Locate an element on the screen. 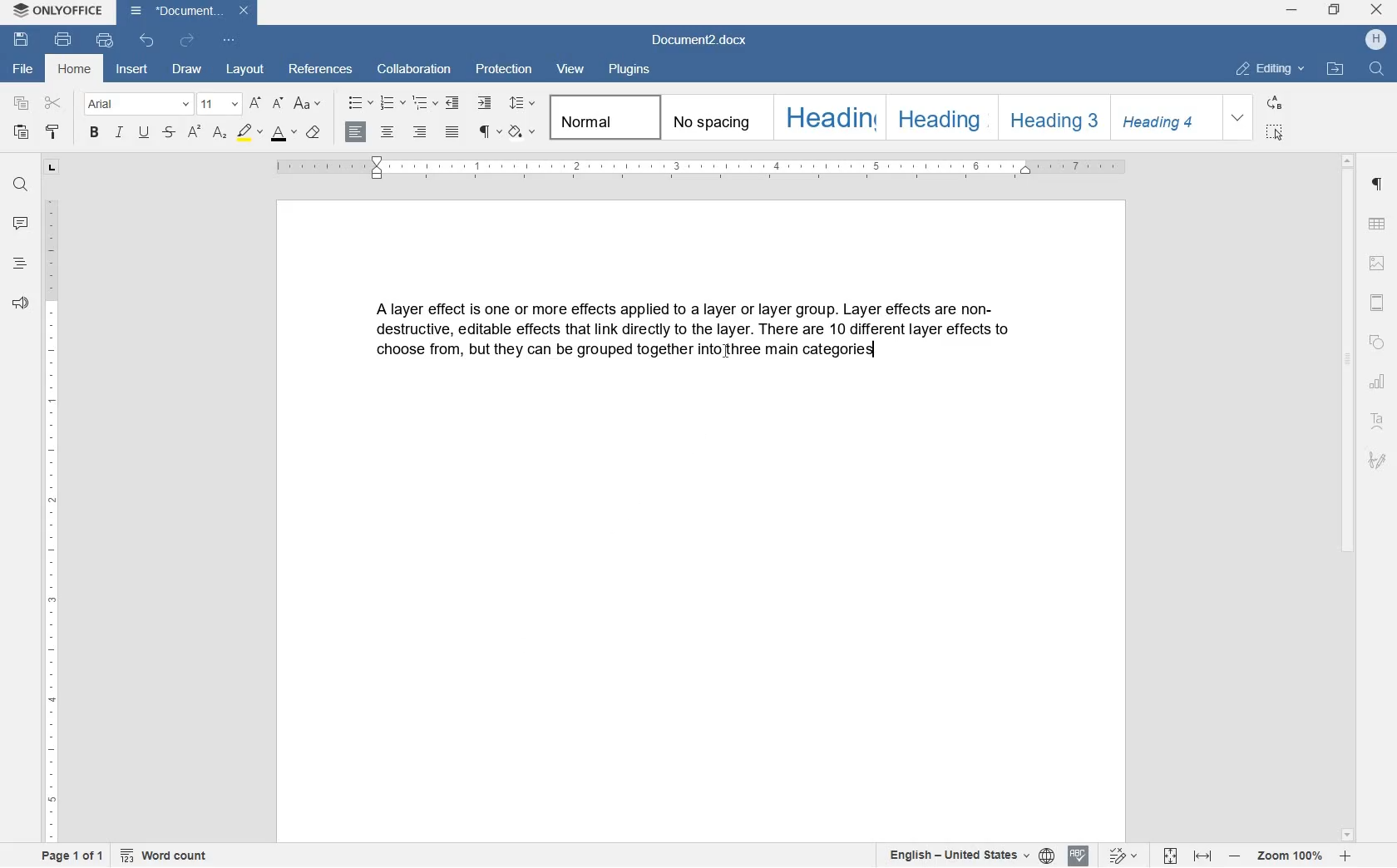  references is located at coordinates (323, 71).